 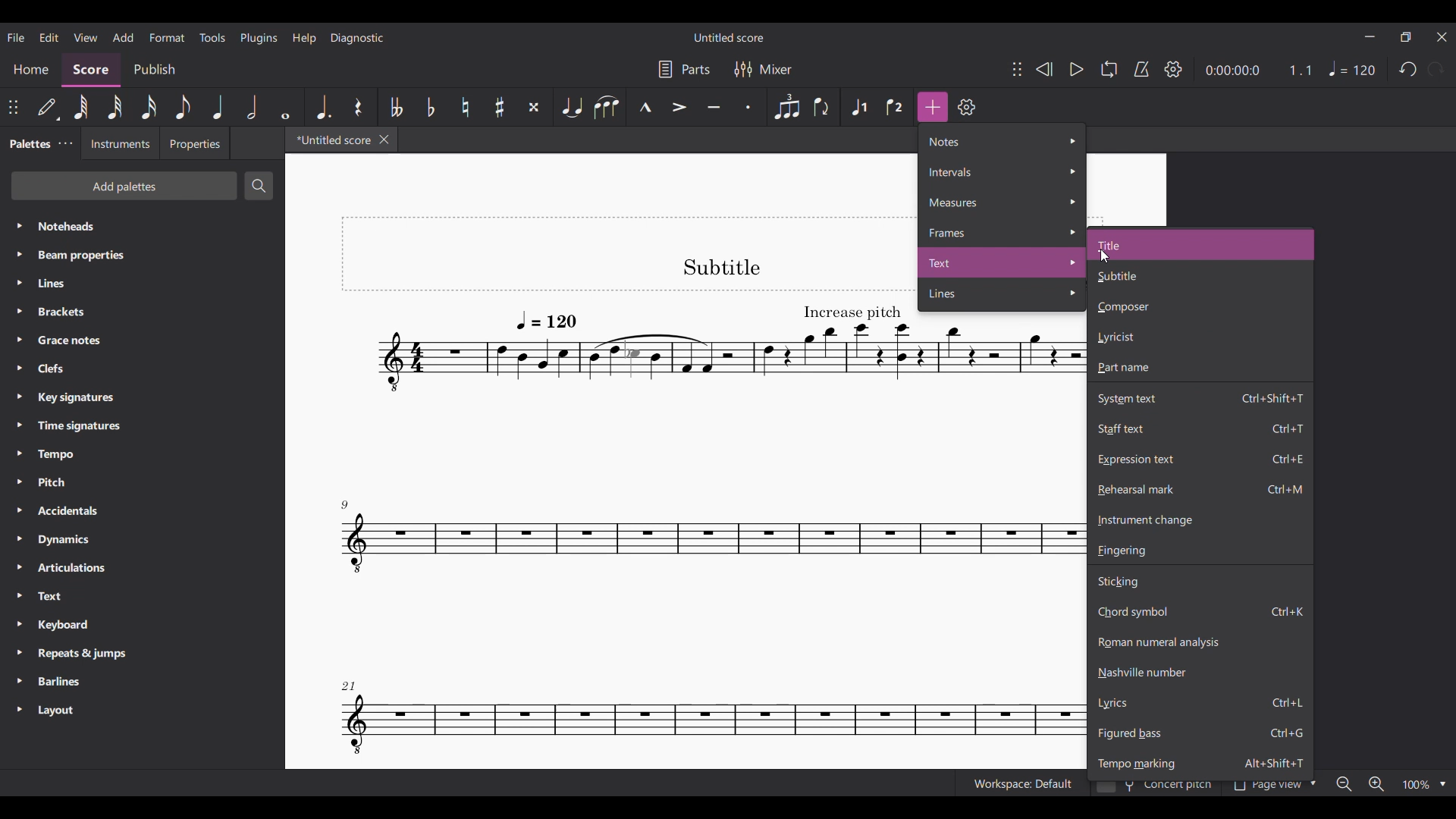 What do you see at coordinates (729, 37) in the screenshot?
I see `Untitled score` at bounding box center [729, 37].